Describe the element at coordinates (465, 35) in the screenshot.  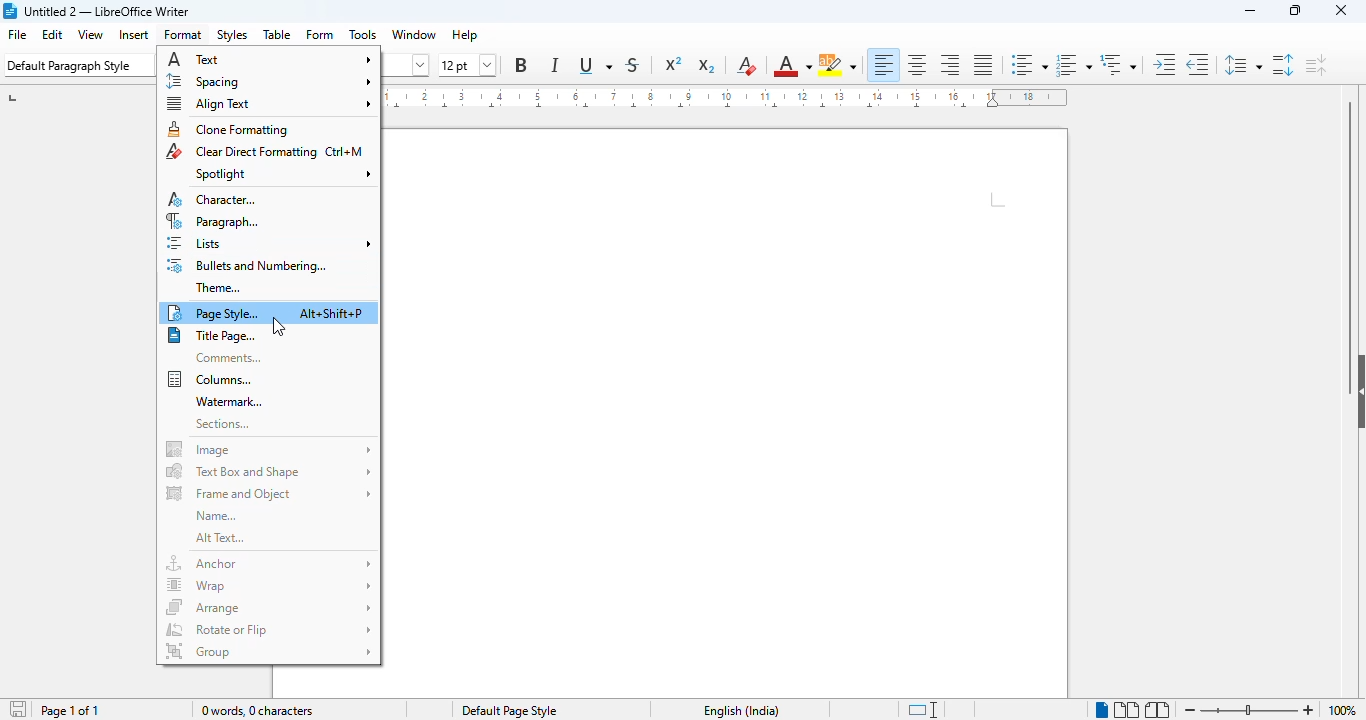
I see `help` at that location.